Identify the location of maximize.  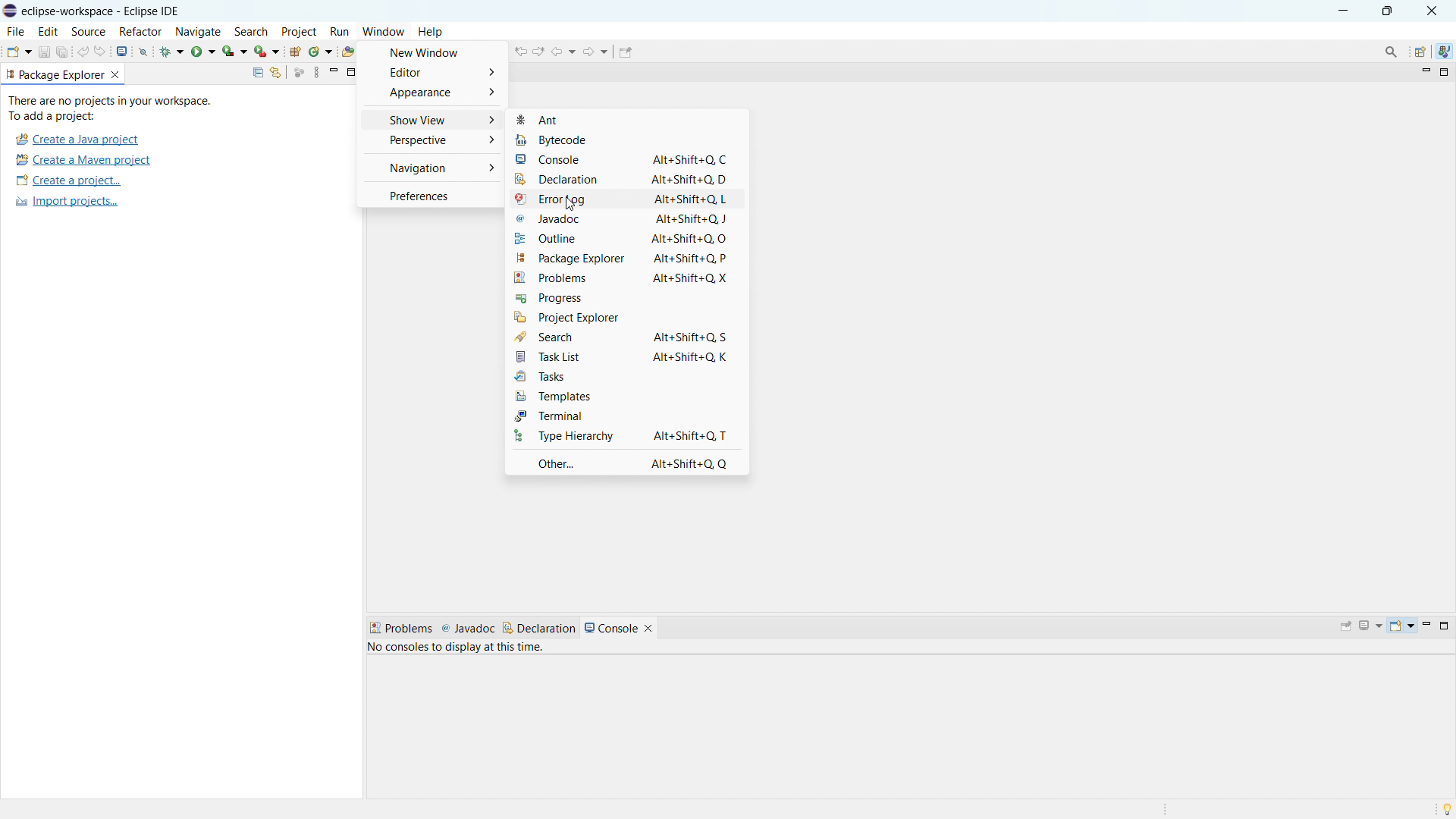
(1447, 626).